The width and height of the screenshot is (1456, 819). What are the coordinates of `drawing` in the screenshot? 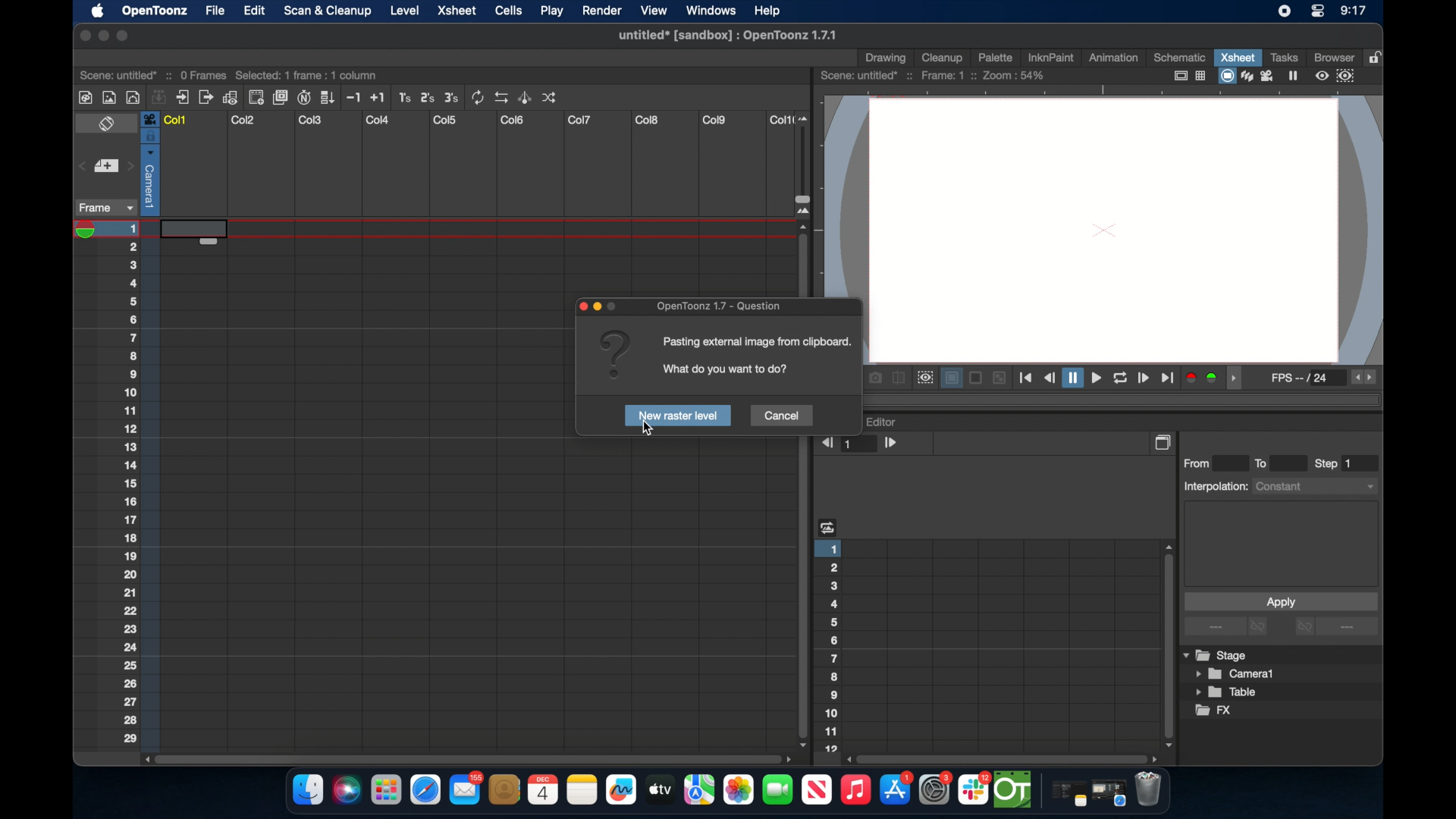 It's located at (887, 58).